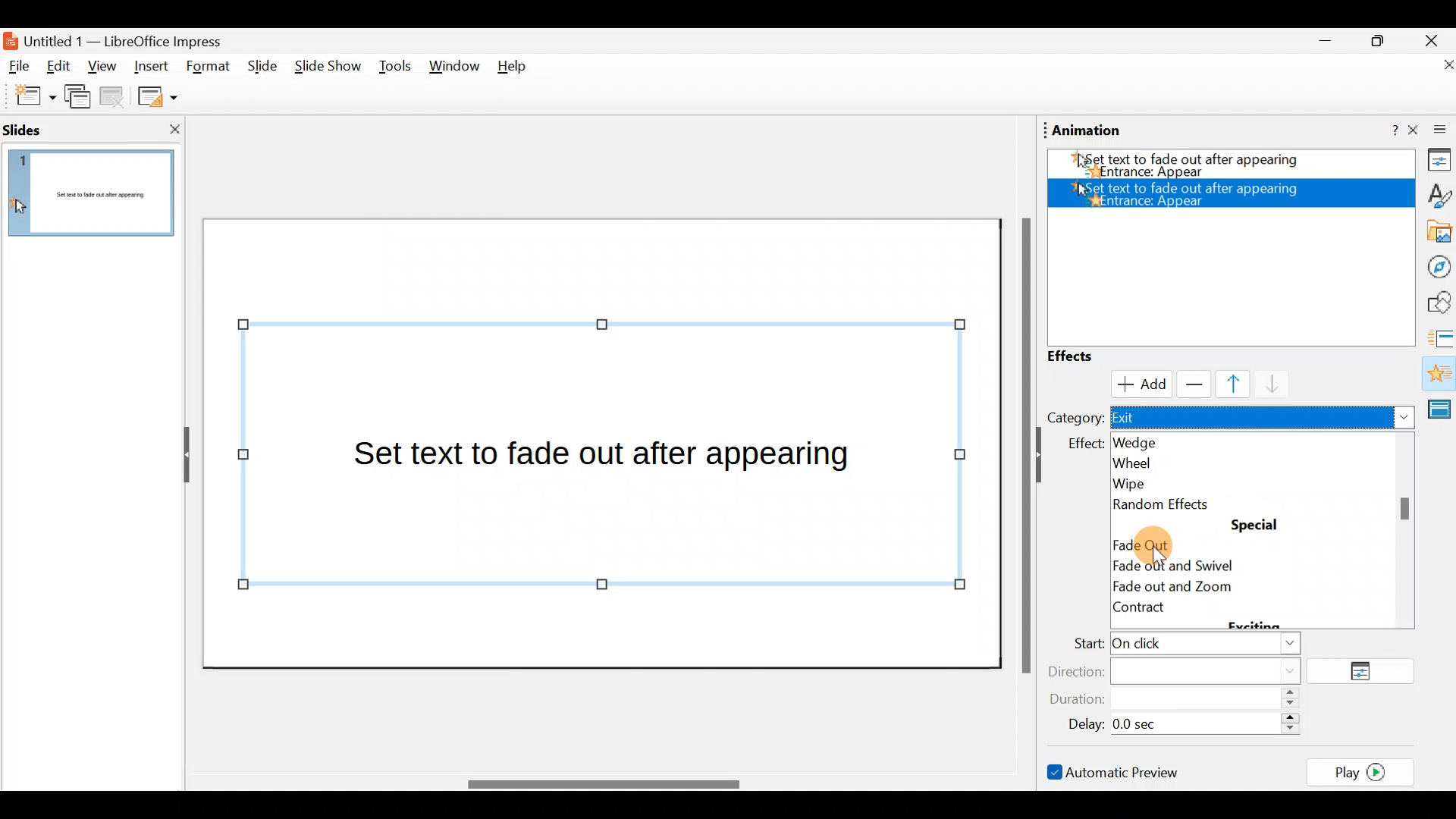 Image resolution: width=1456 pixels, height=819 pixels. I want to click on Cursor, so click(1137, 382).